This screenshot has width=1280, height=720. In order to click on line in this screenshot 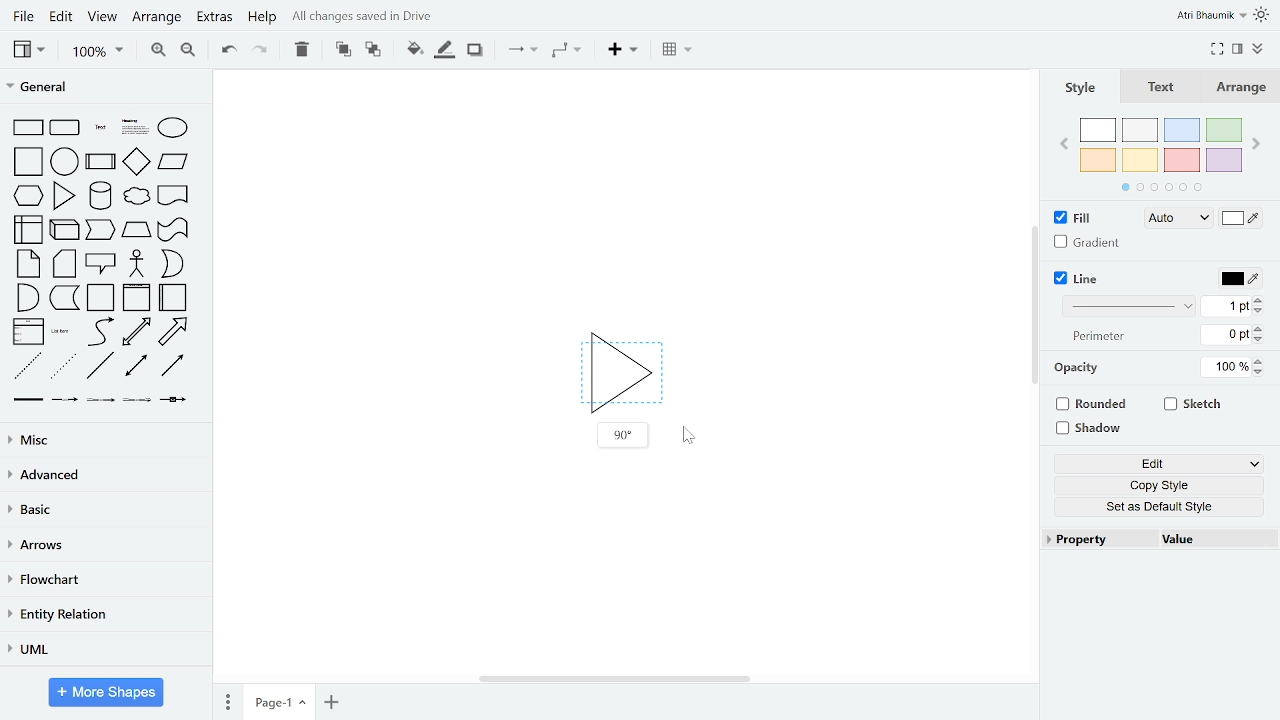, I will do `click(100, 368)`.